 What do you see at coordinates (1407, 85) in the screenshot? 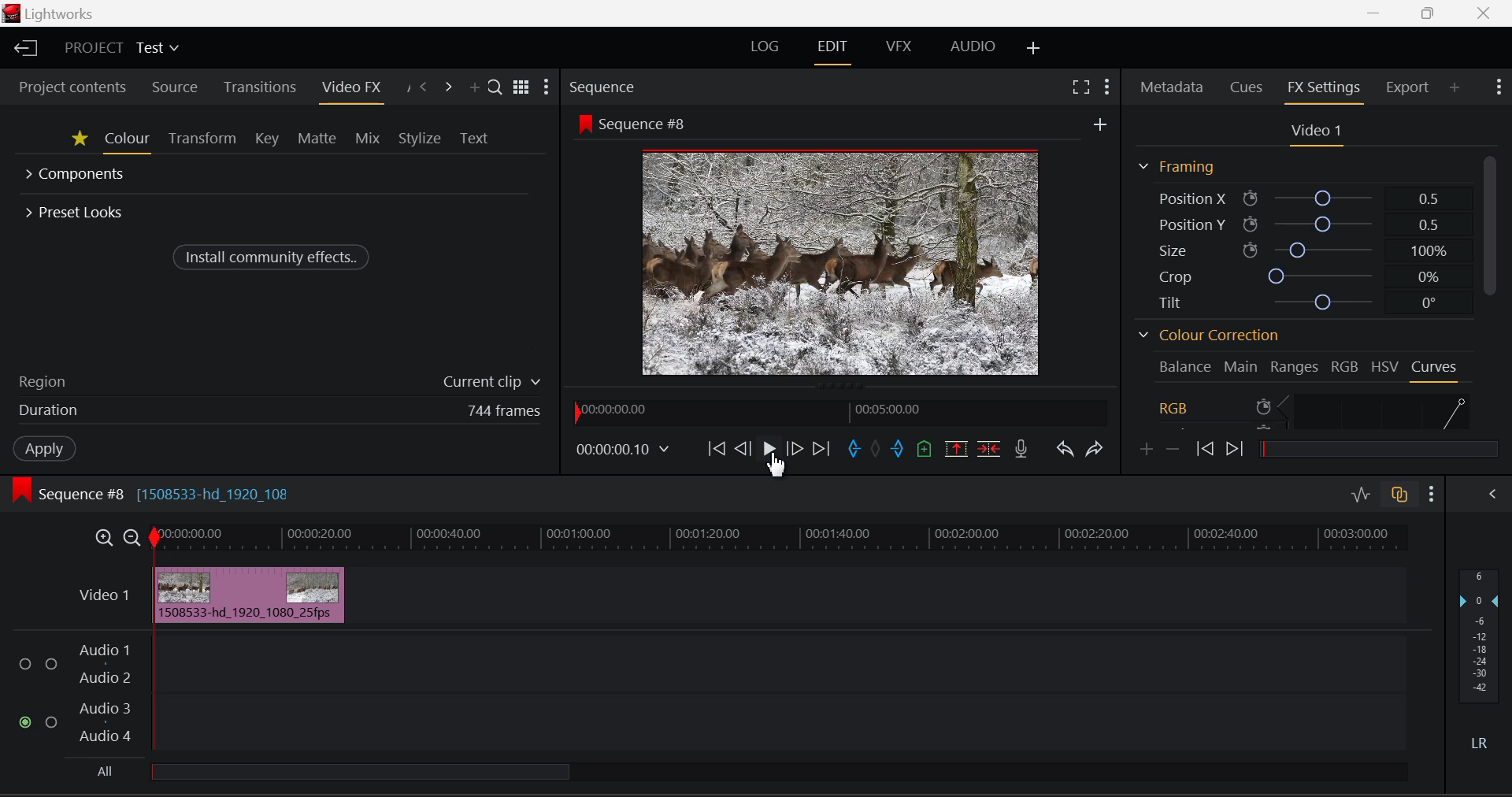
I see `Export` at bounding box center [1407, 85].